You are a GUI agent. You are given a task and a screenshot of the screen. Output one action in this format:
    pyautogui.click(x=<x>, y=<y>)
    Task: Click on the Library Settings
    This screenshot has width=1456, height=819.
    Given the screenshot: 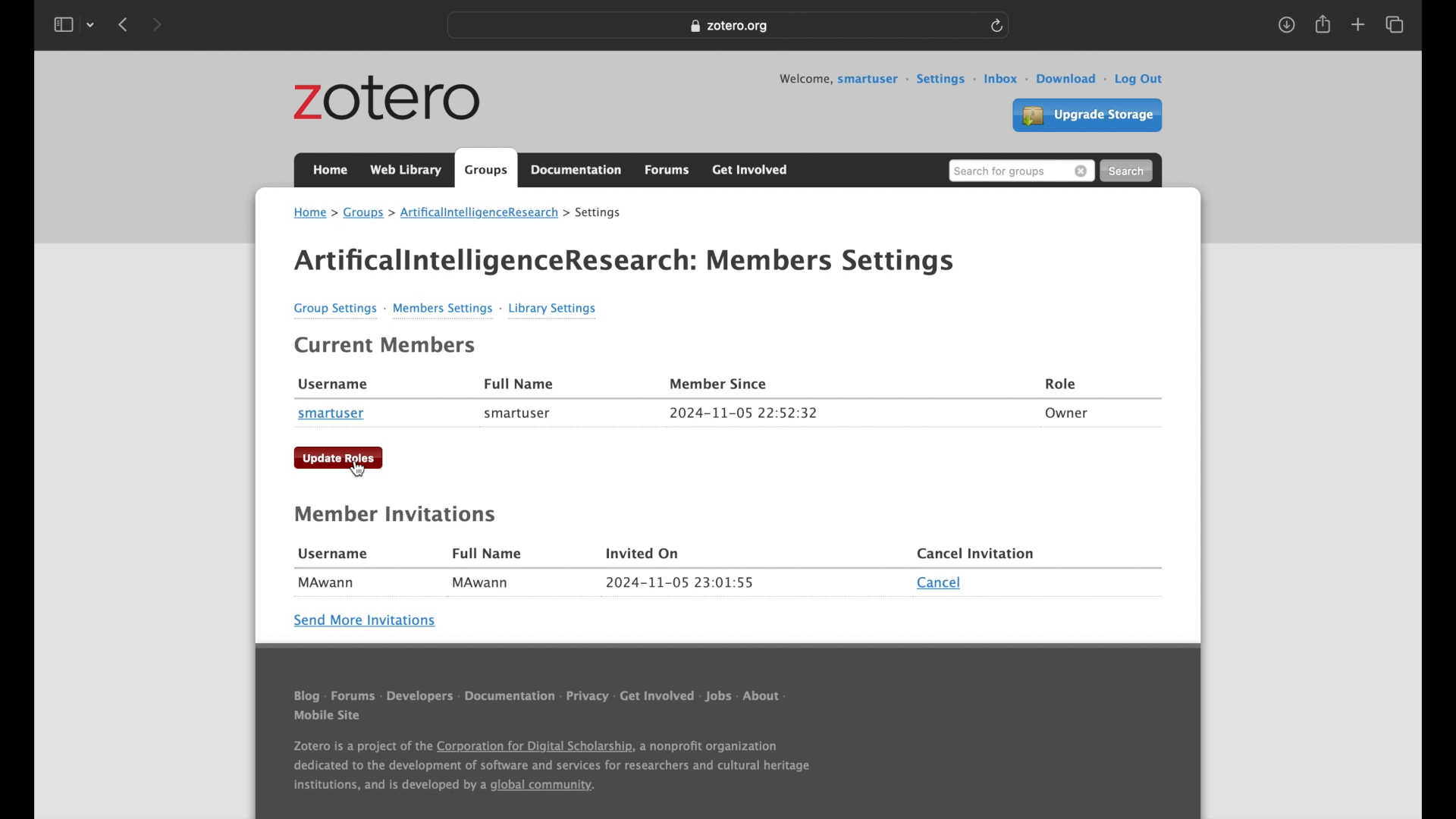 What is the action you would take?
    pyautogui.click(x=561, y=308)
    